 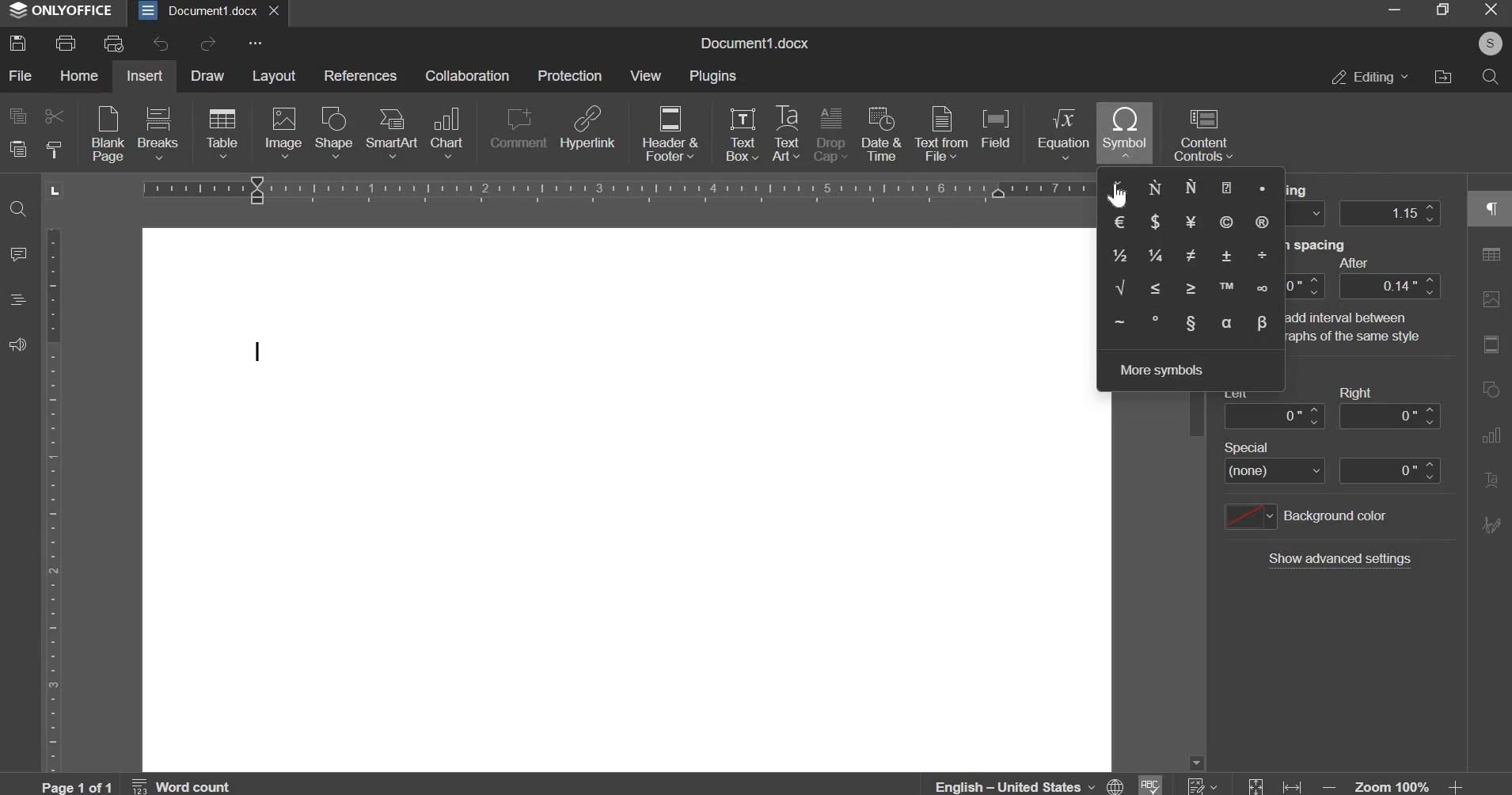 I want to click on image, so click(x=283, y=131).